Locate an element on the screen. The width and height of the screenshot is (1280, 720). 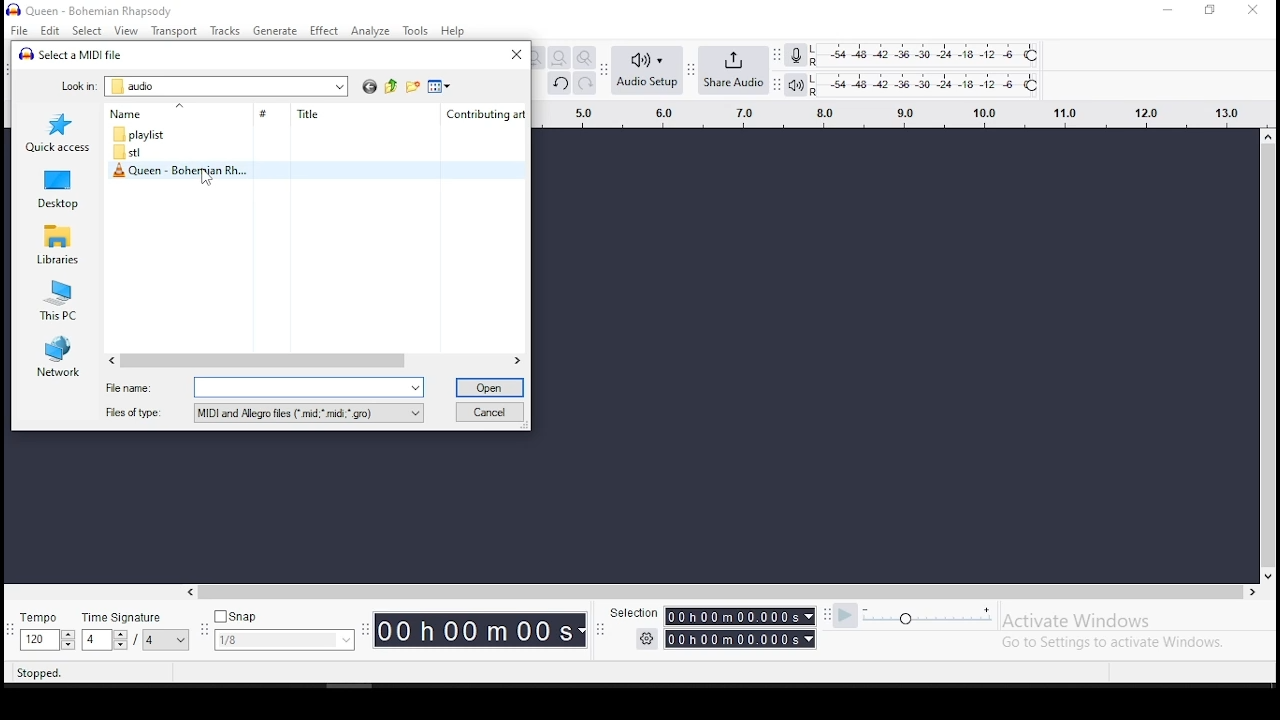
Name is located at coordinates (130, 115).